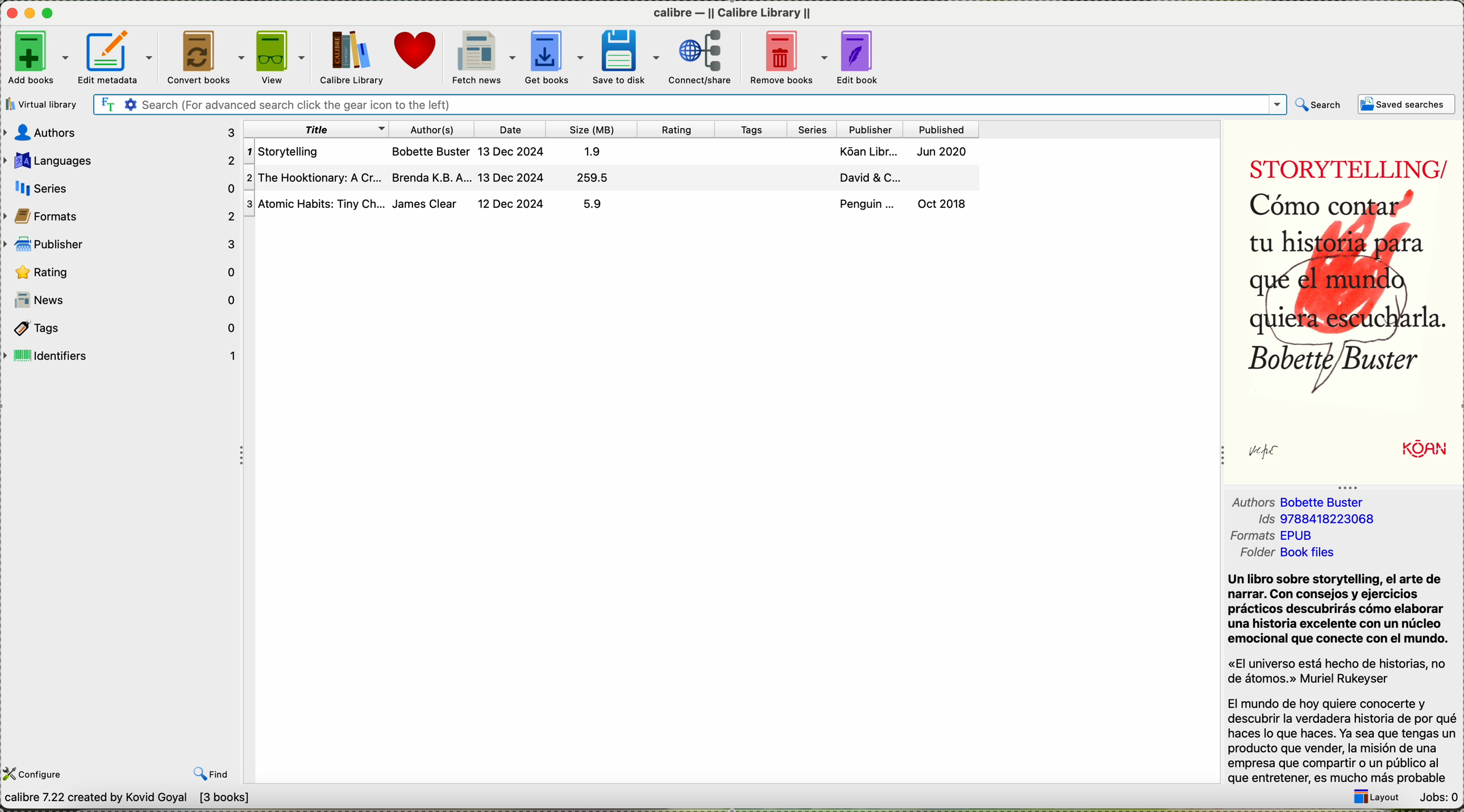 The image size is (1464, 812). I want to click on view, so click(282, 55).